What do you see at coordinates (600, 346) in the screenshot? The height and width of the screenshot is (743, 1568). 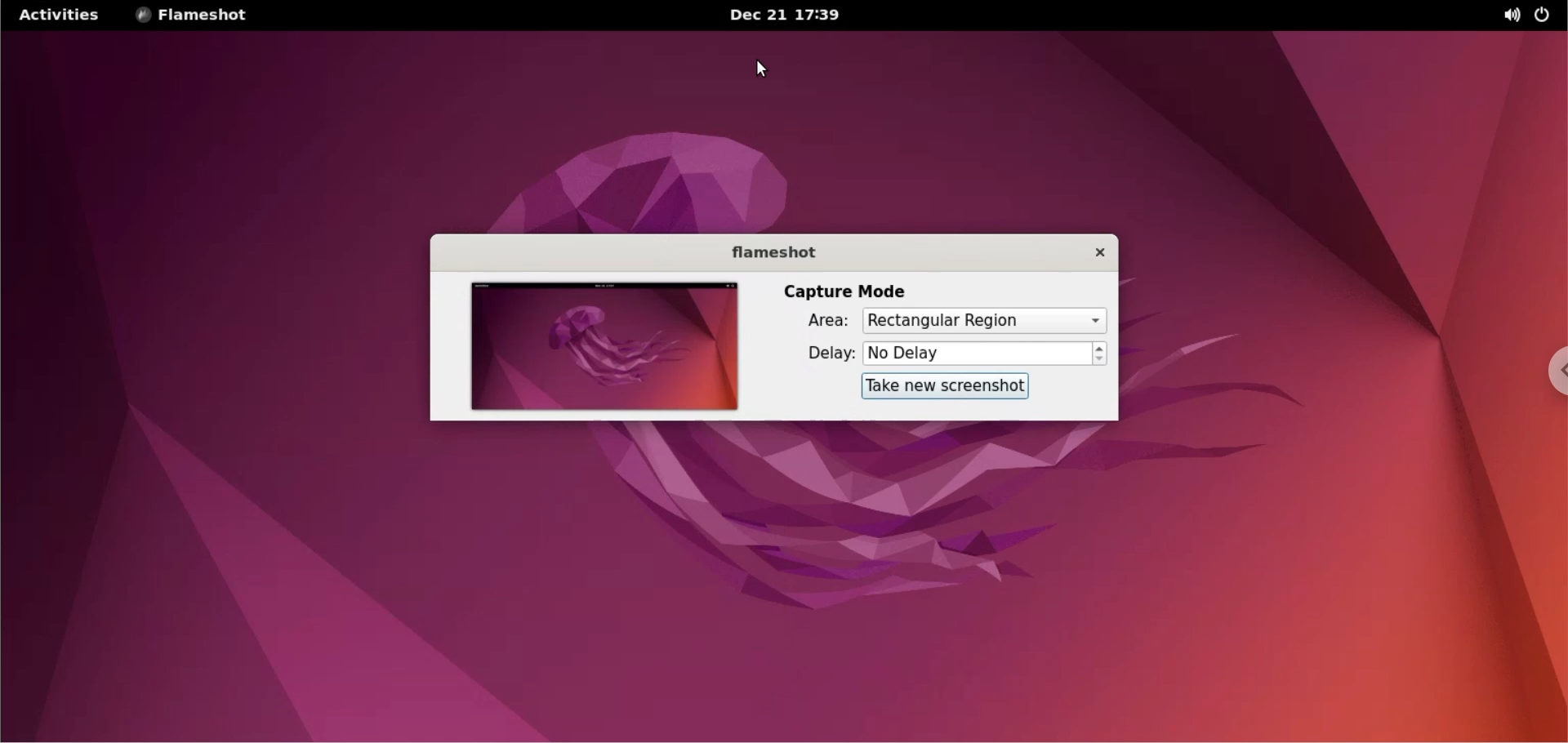 I see `screenshot preview` at bounding box center [600, 346].